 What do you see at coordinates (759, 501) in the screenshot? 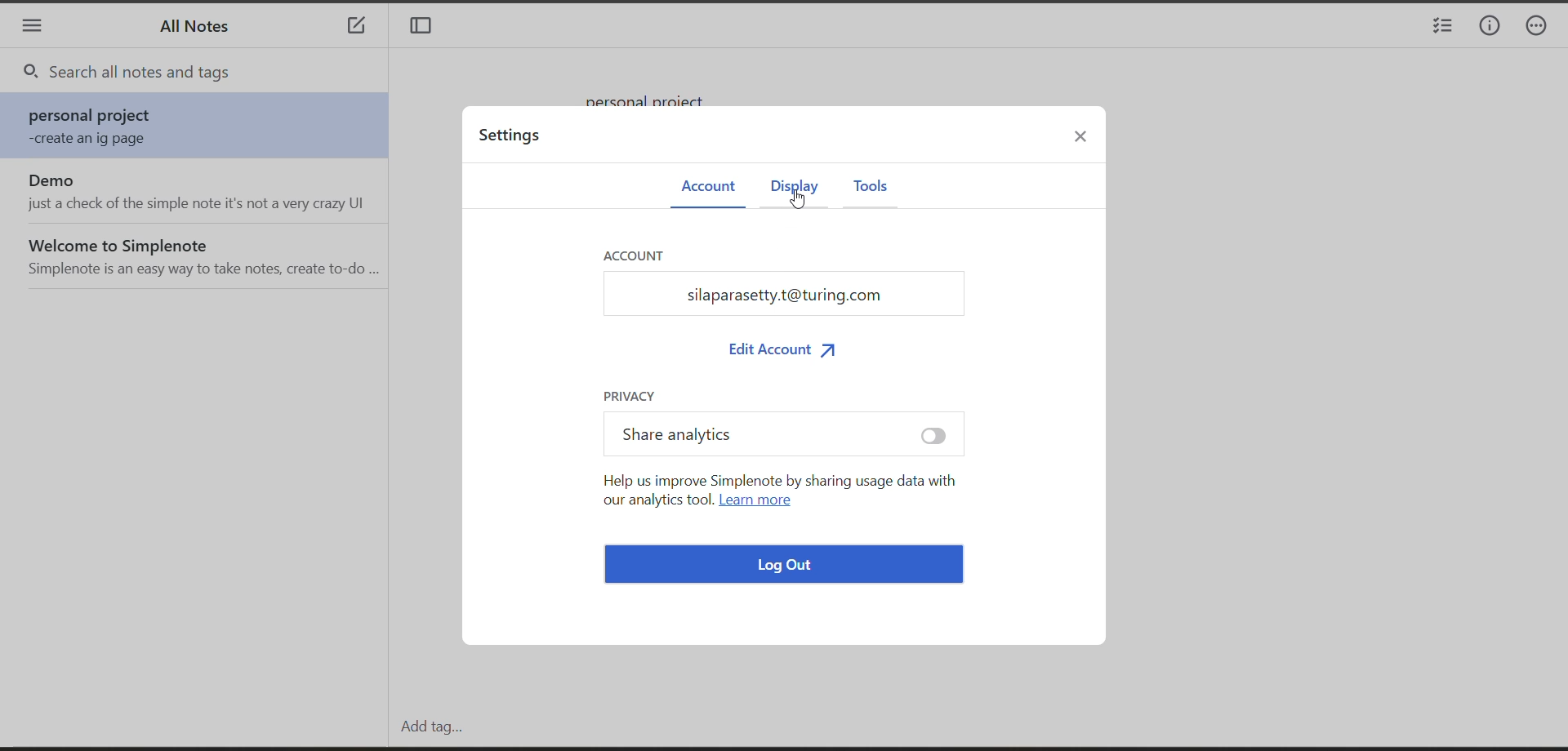
I see `learn more` at bounding box center [759, 501].